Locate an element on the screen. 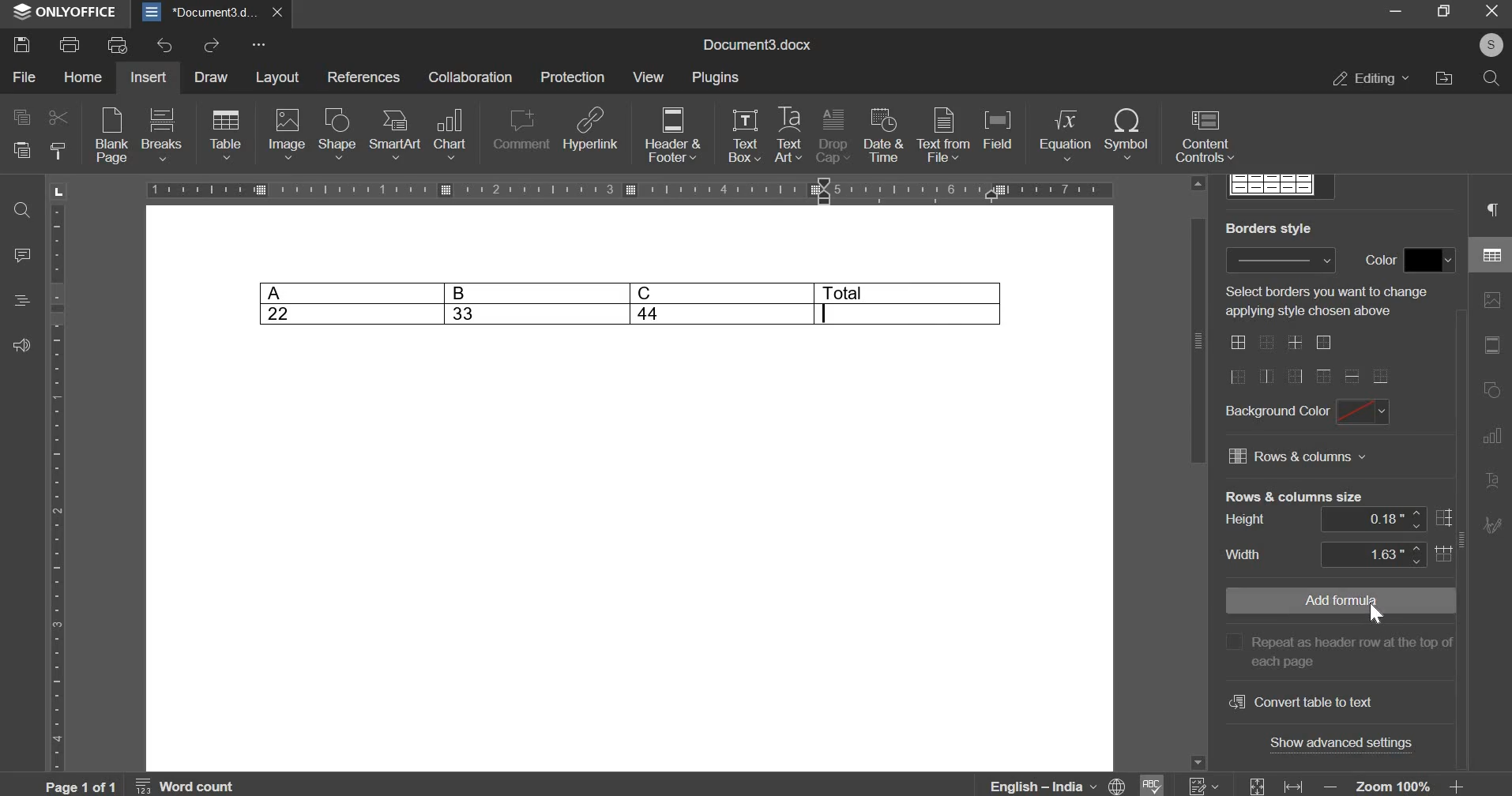 The image size is (1512, 796). drop cap is located at coordinates (832, 137).